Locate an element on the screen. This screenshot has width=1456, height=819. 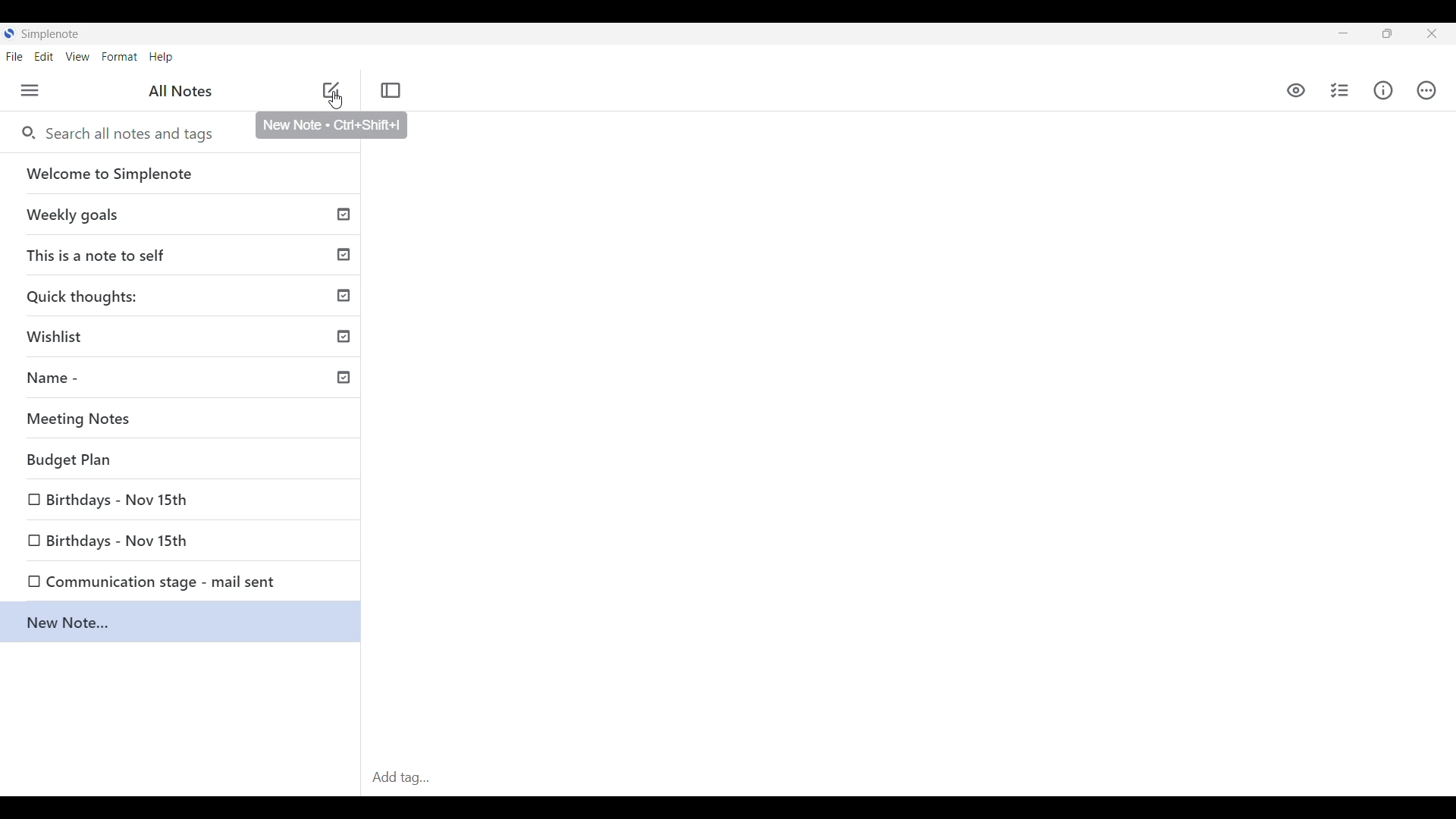
Minimize is located at coordinates (1343, 33).